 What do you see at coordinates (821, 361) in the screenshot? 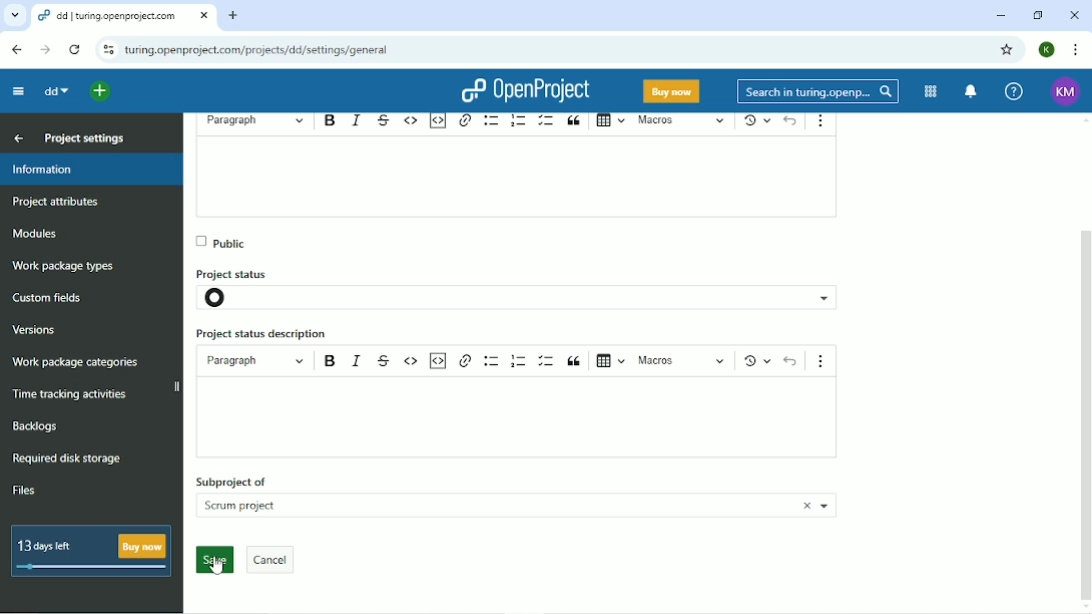
I see `show more items` at bounding box center [821, 361].